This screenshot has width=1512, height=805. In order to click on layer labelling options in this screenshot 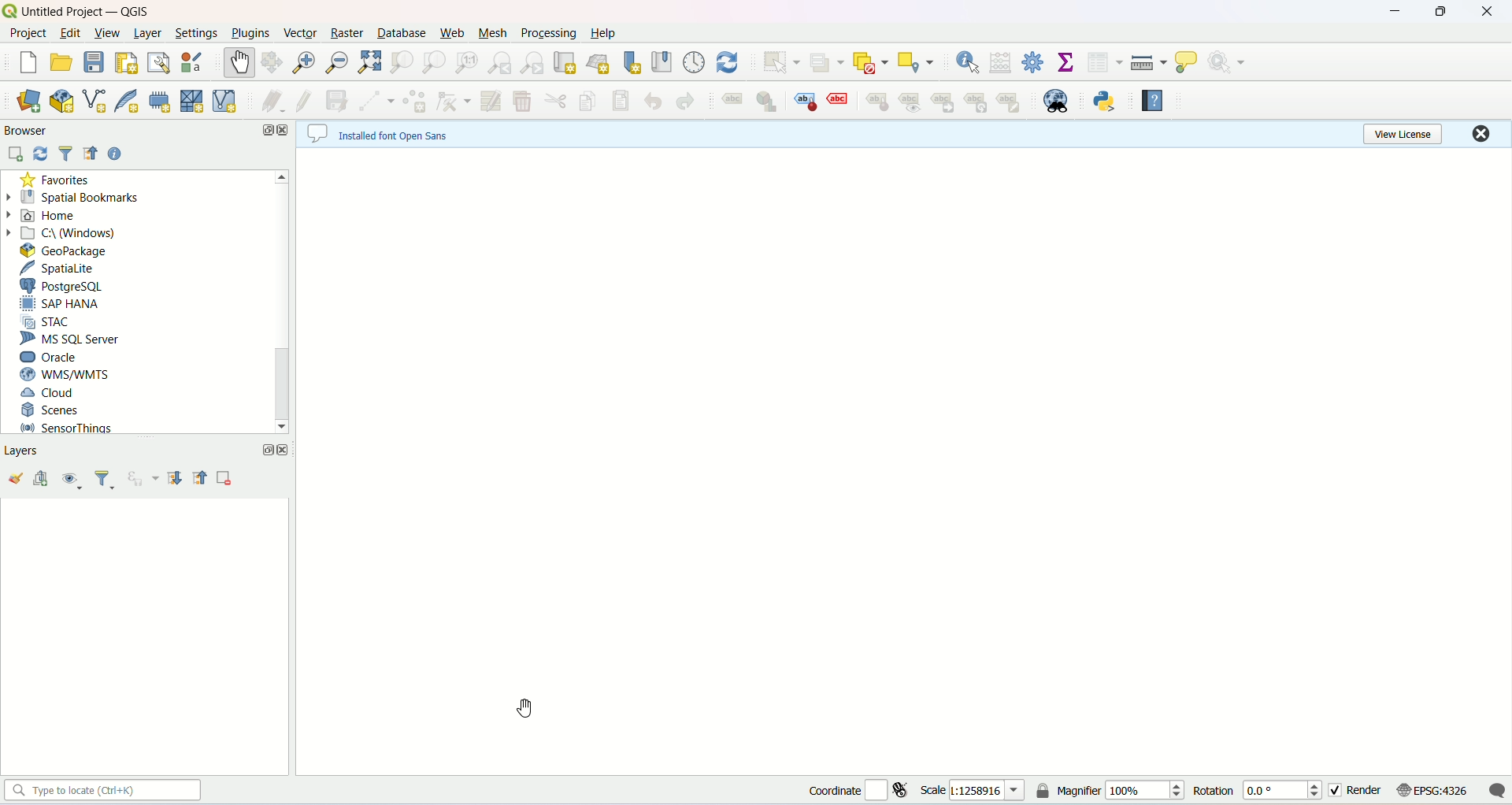, I will do `click(734, 102)`.